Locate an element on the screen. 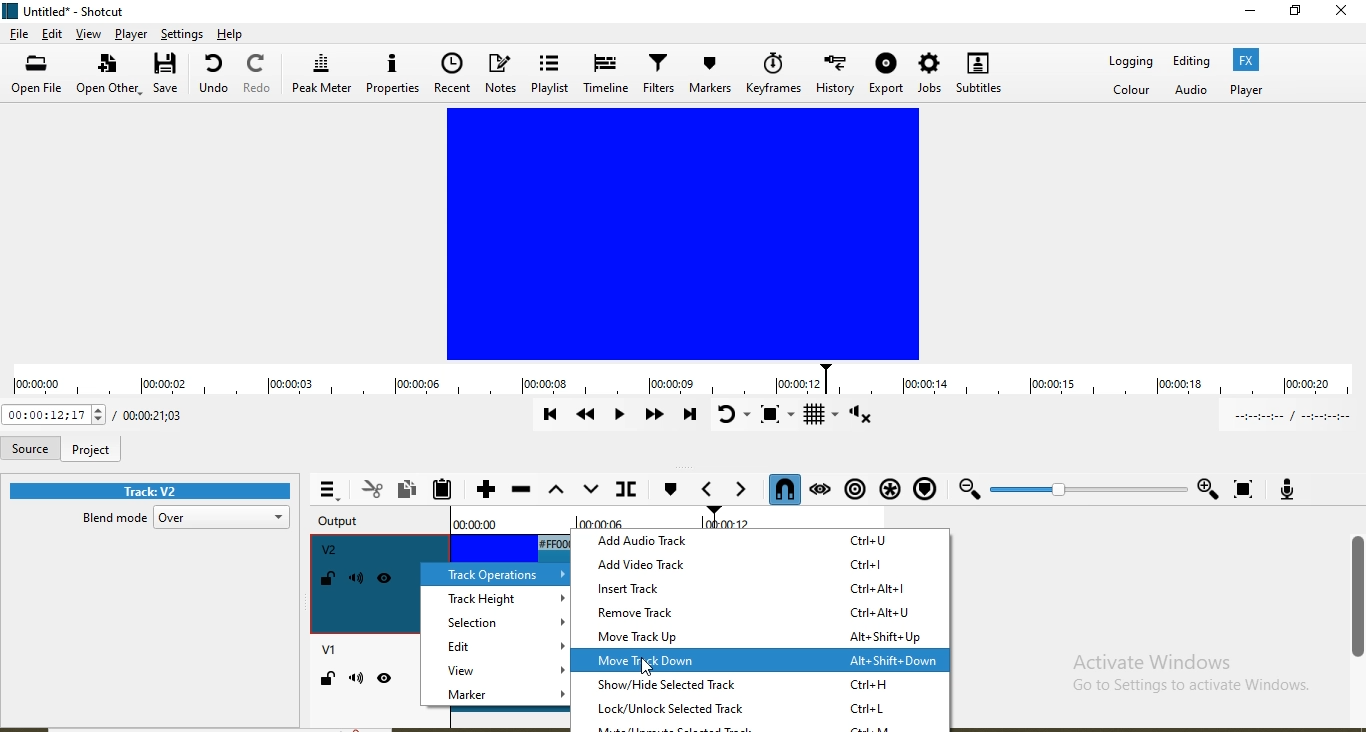 The height and width of the screenshot is (732, 1366). Toggle grid display  is located at coordinates (820, 418).